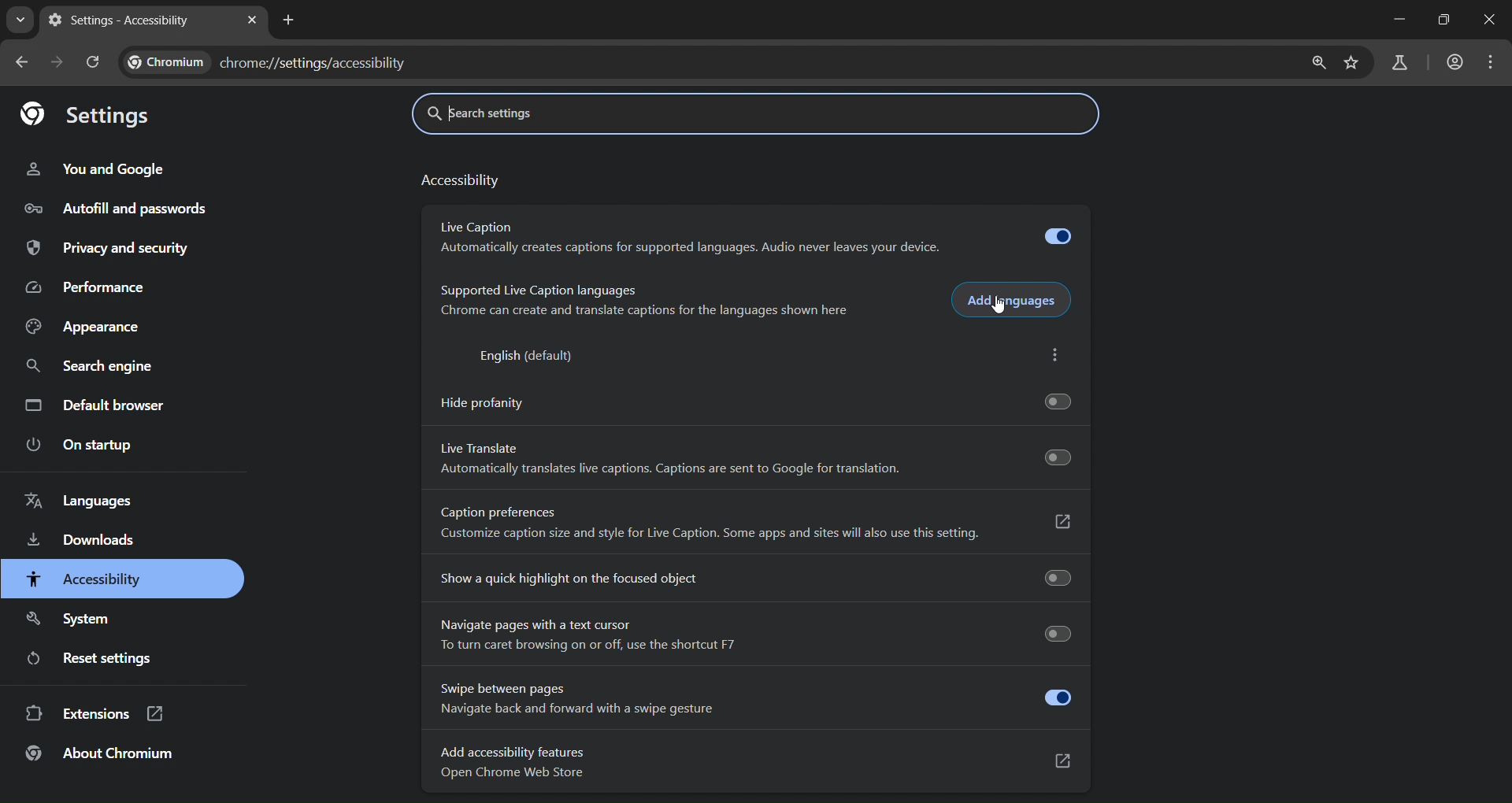 Image resolution: width=1512 pixels, height=803 pixels. What do you see at coordinates (1320, 65) in the screenshot?
I see `zoom` at bounding box center [1320, 65].